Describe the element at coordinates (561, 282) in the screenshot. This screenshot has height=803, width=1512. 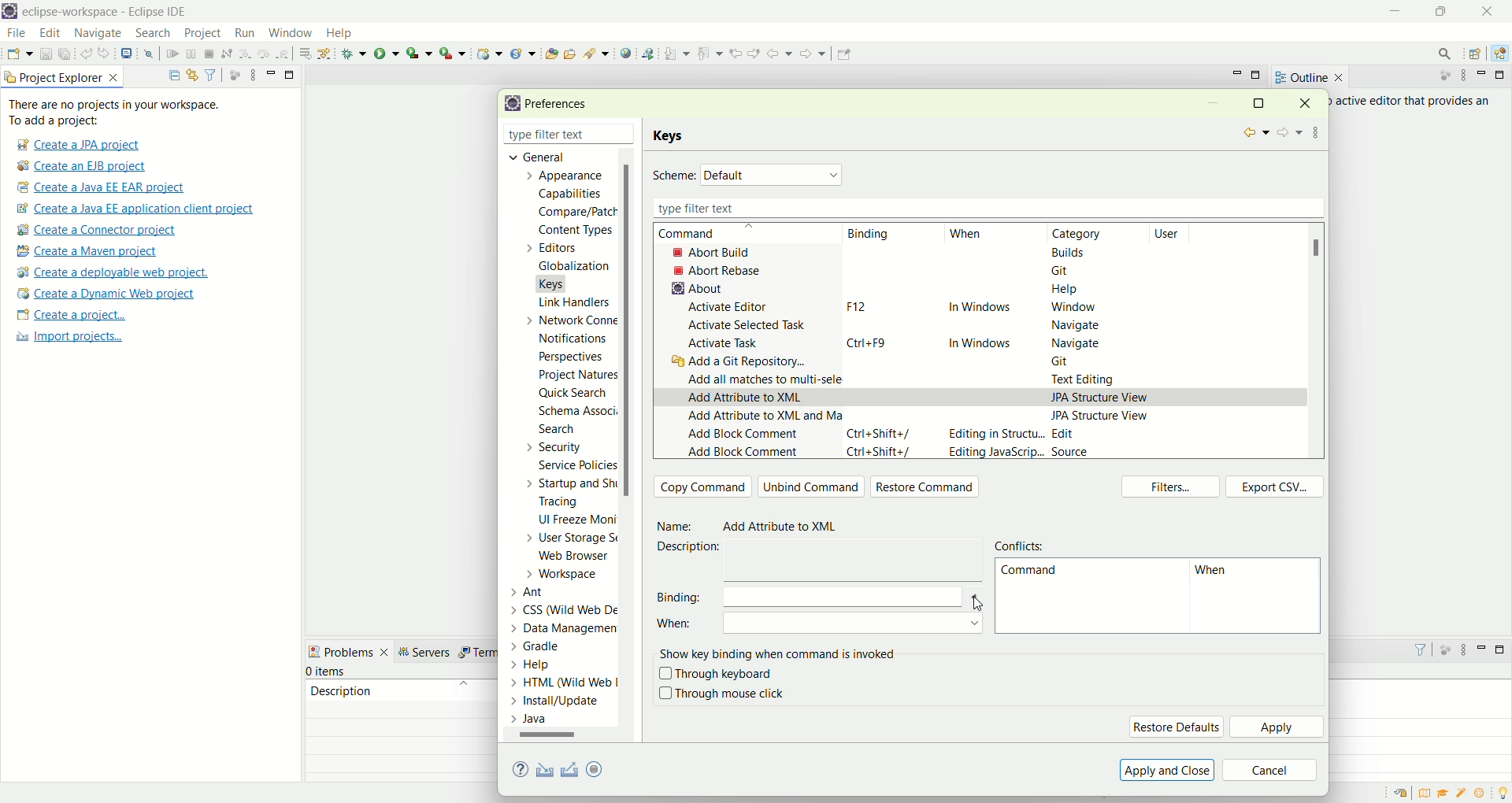
I see `keys` at that location.